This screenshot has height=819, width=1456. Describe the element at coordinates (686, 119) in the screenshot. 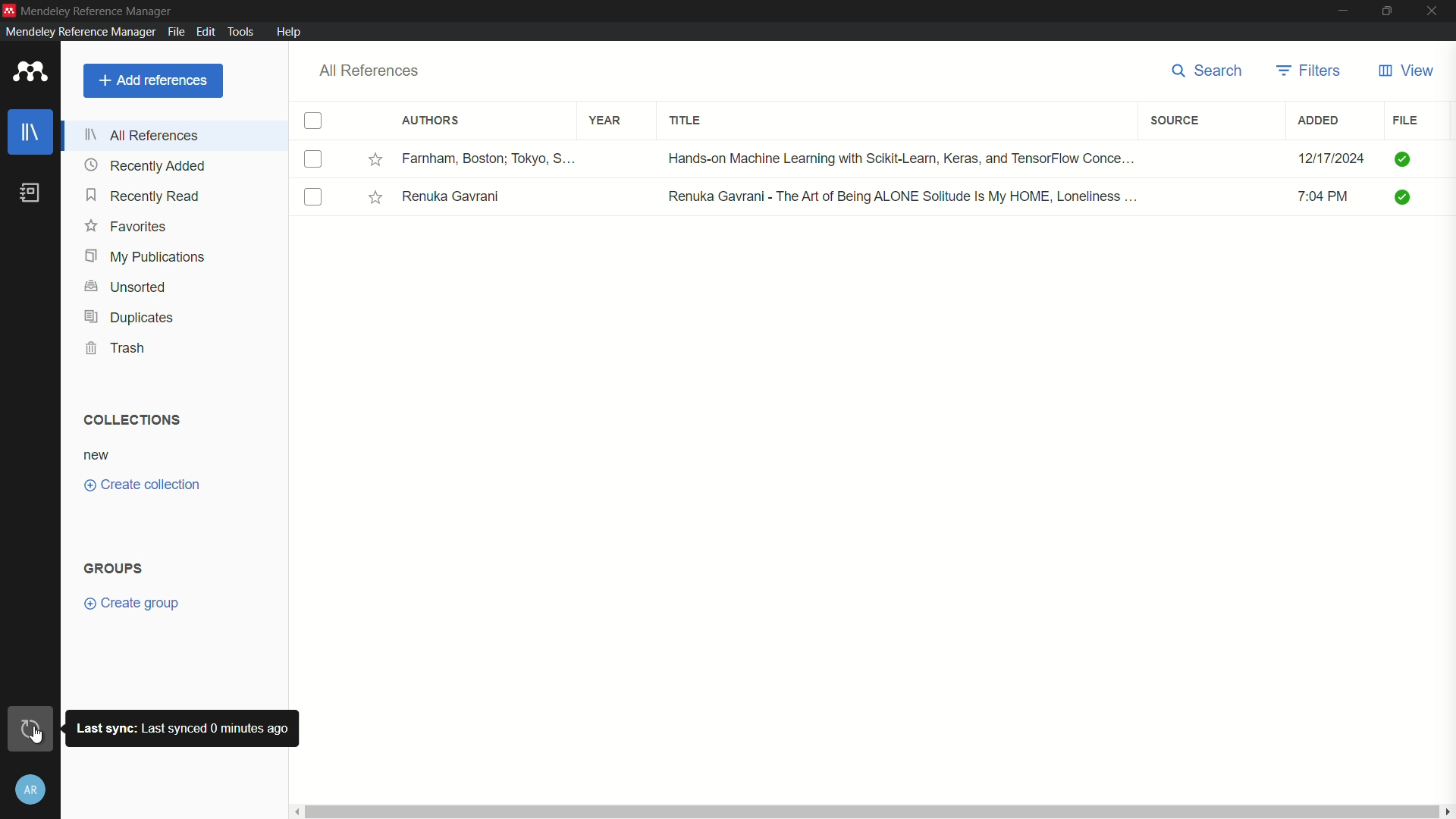

I see `title` at that location.